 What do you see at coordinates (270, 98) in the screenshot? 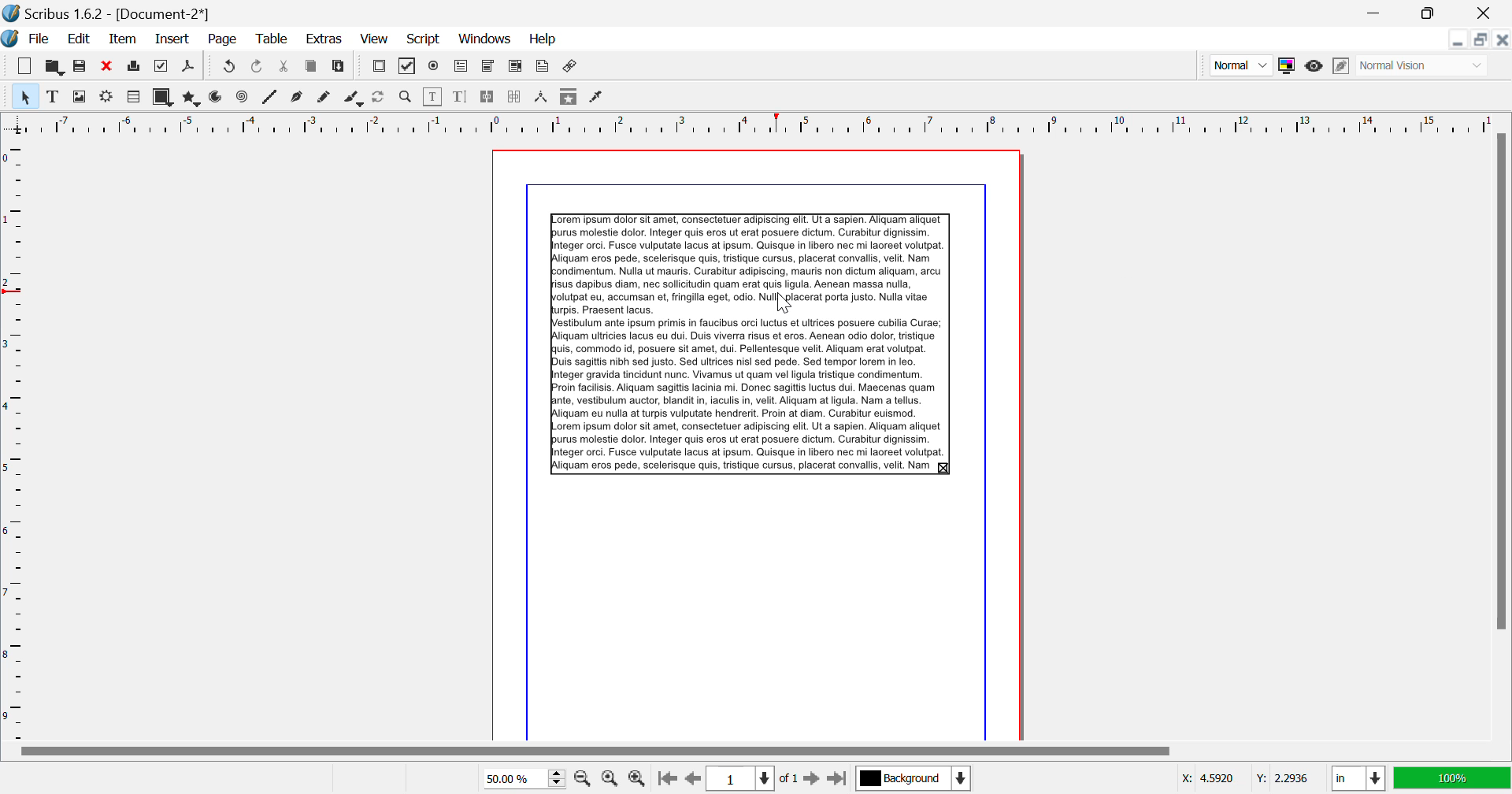
I see `Line` at bounding box center [270, 98].